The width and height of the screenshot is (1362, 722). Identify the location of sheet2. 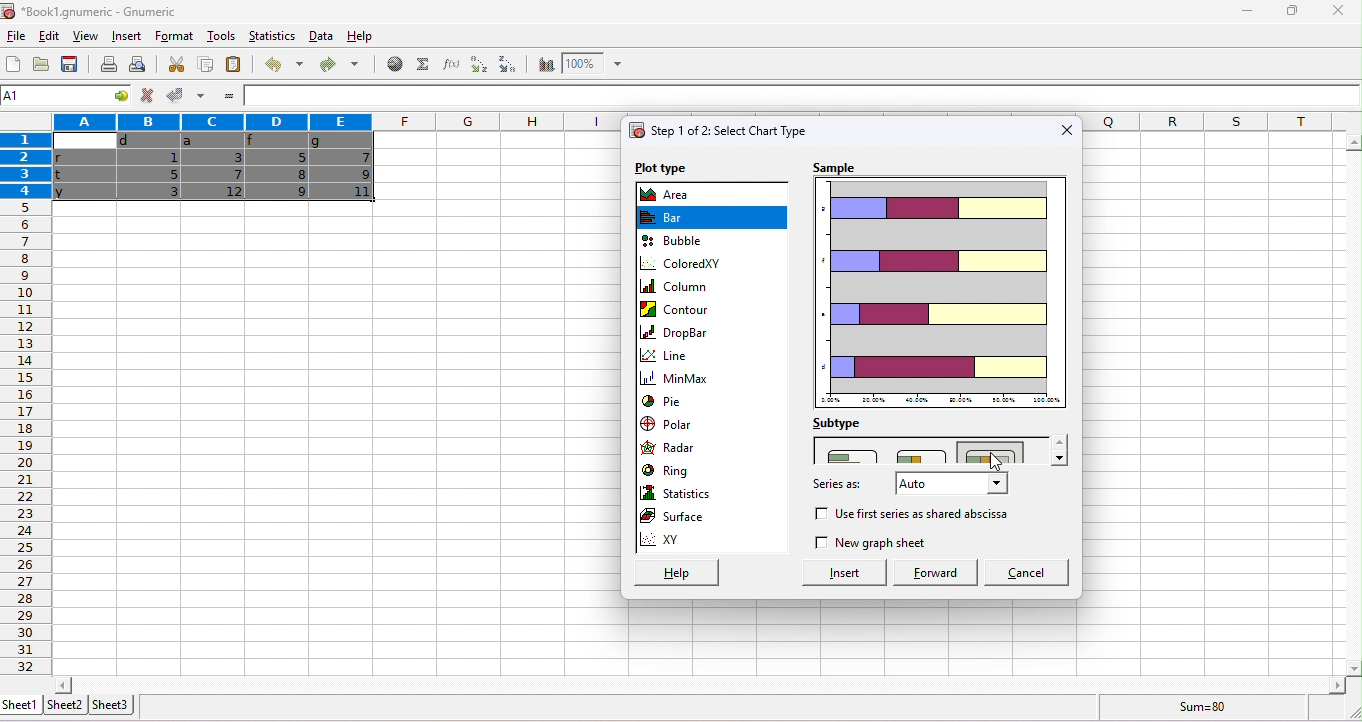
(65, 705).